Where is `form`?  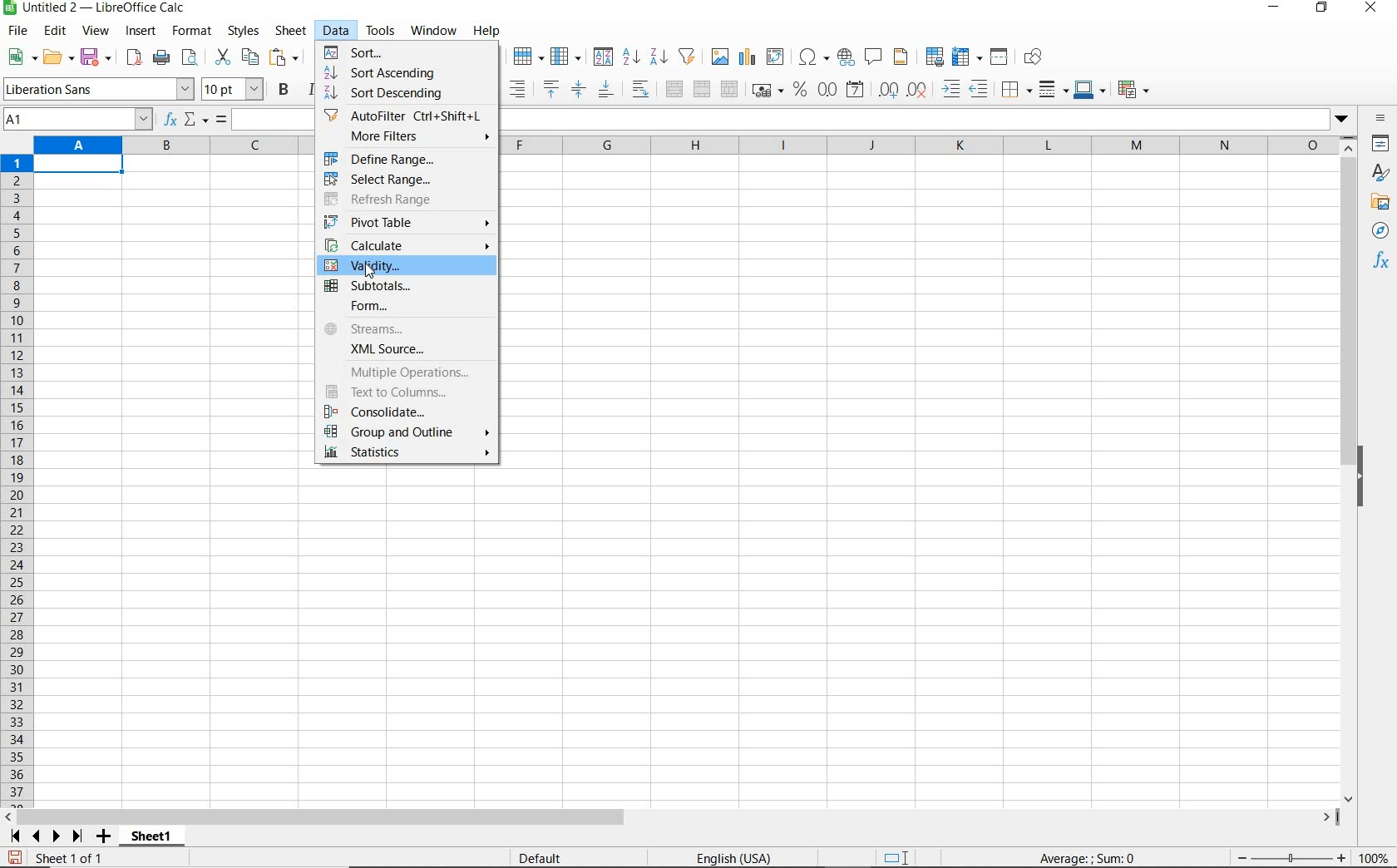 form is located at coordinates (402, 308).